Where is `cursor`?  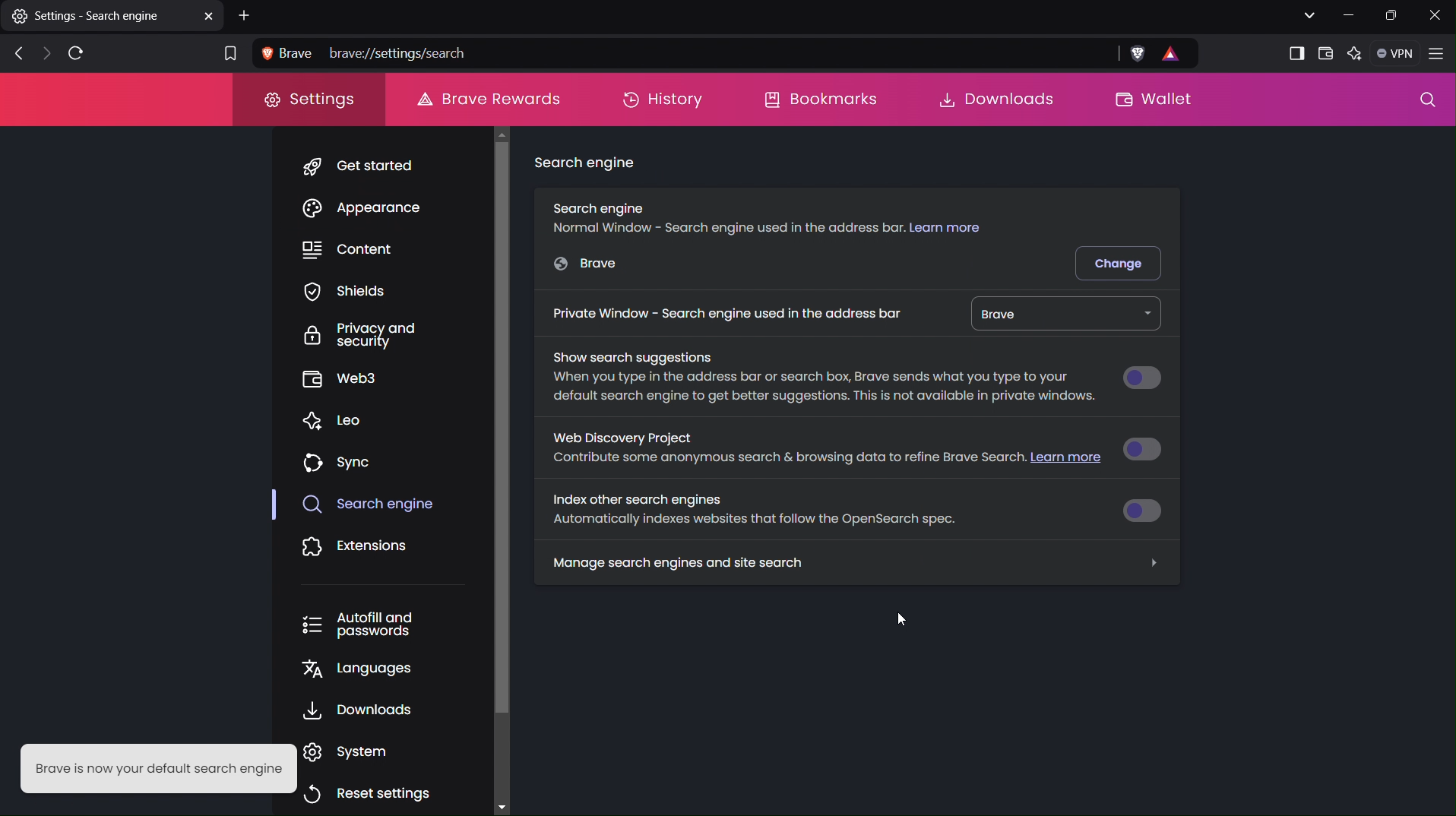
cursor is located at coordinates (907, 623).